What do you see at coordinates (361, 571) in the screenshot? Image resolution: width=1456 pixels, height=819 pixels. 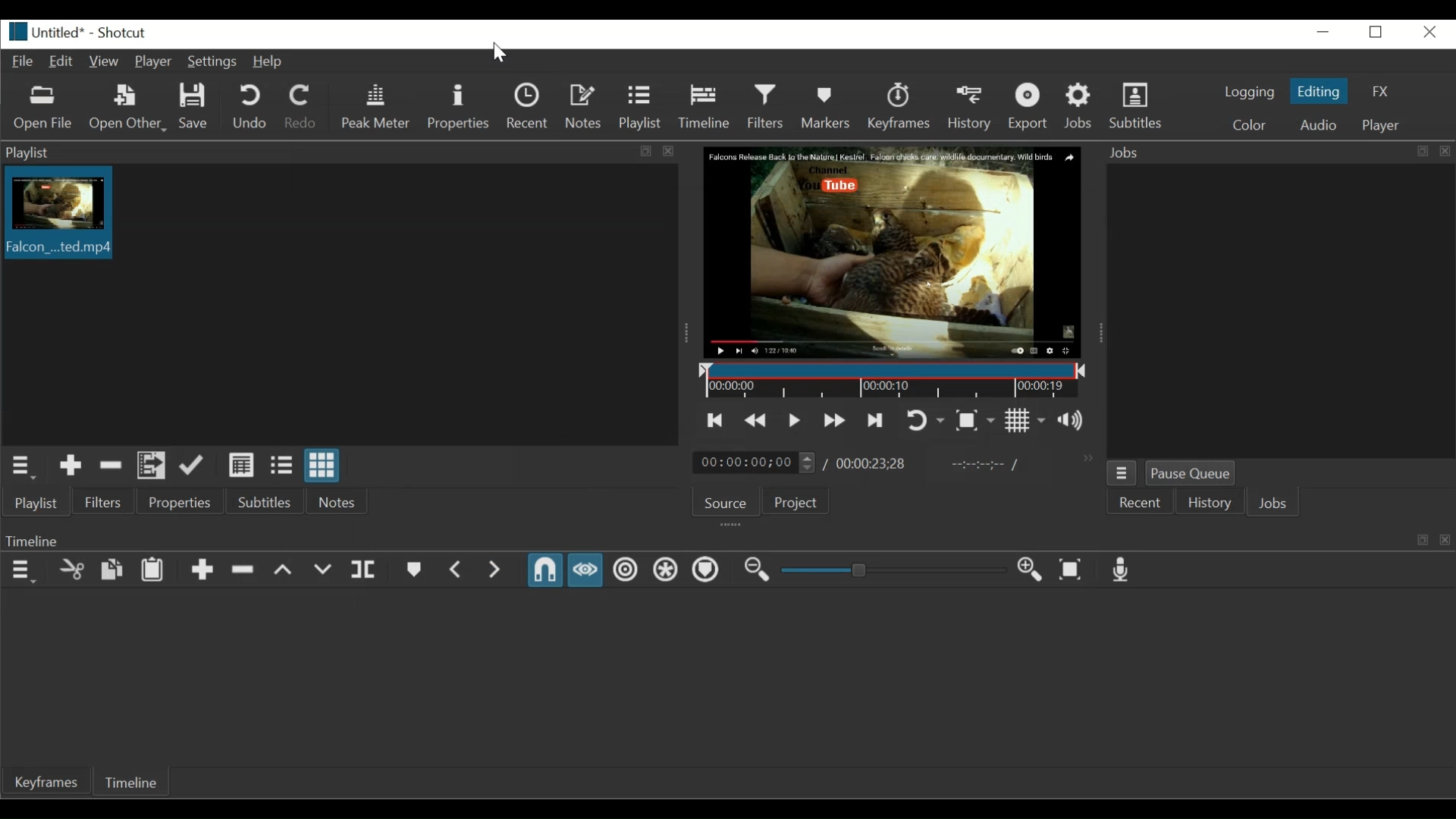 I see `Split at Playhead` at bounding box center [361, 571].